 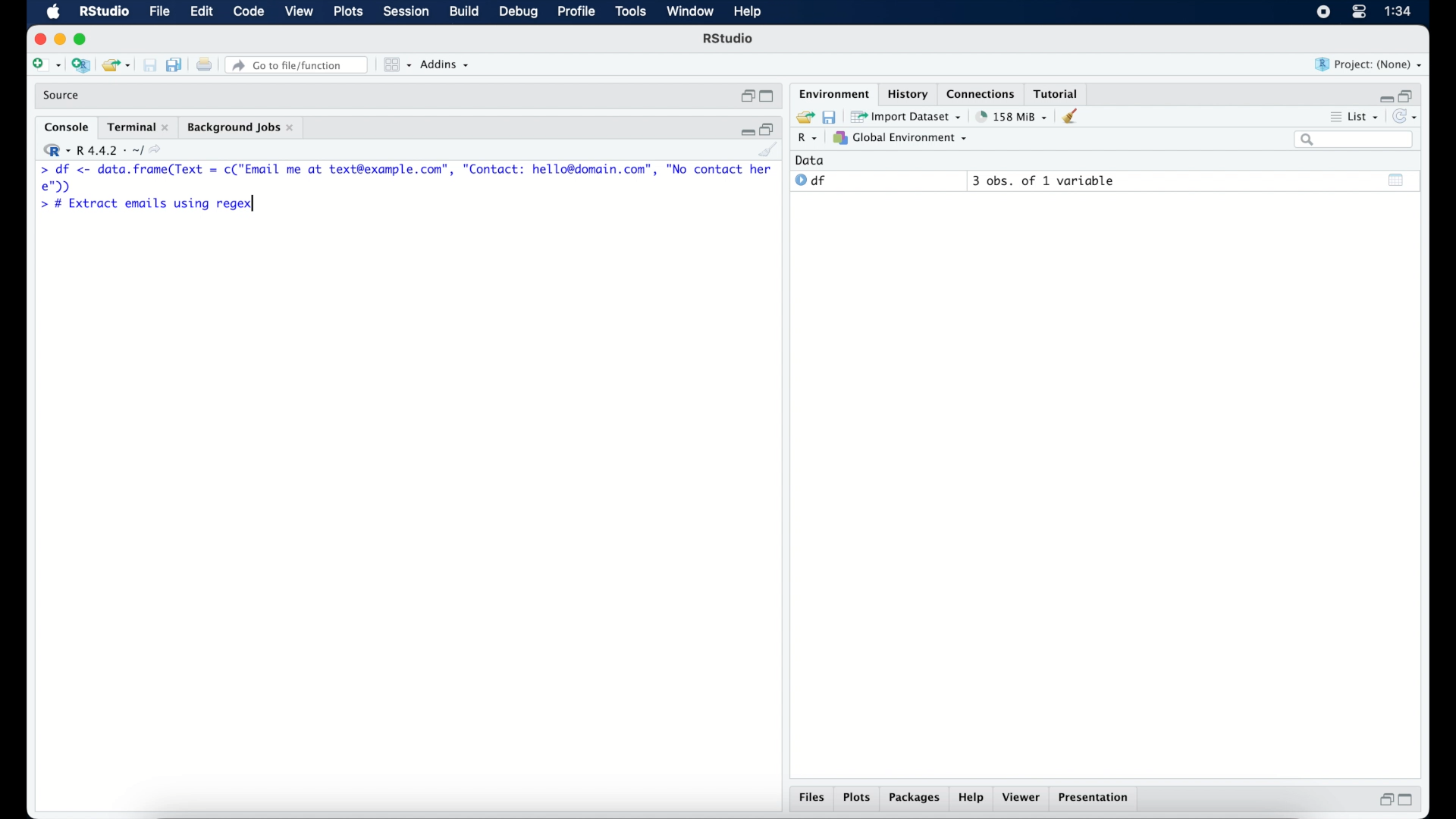 What do you see at coordinates (769, 151) in the screenshot?
I see `clear console` at bounding box center [769, 151].